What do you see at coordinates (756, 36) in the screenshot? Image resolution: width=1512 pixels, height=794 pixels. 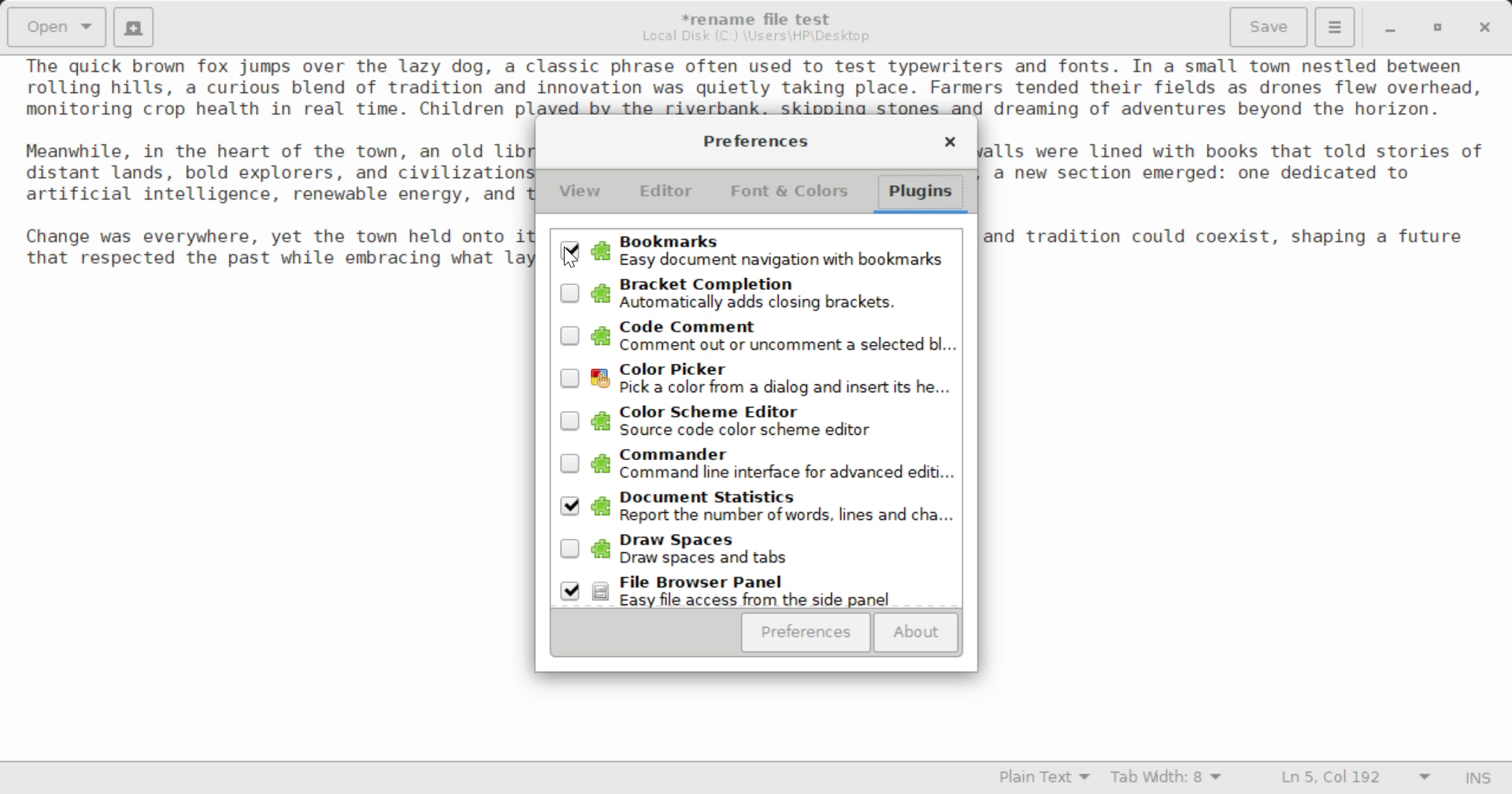 I see `File Location` at bounding box center [756, 36].